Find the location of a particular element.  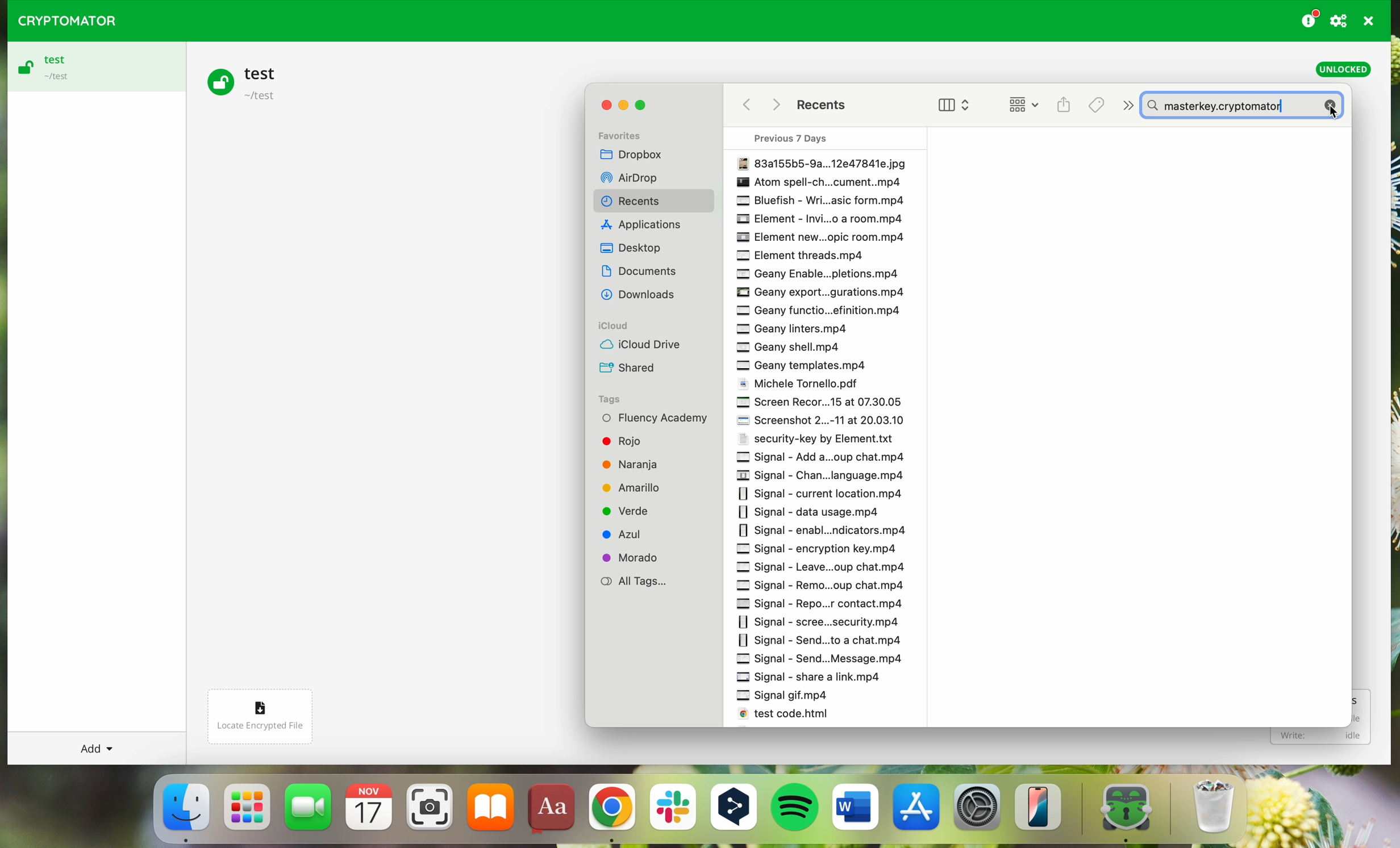

Dropbox is located at coordinates (639, 153).